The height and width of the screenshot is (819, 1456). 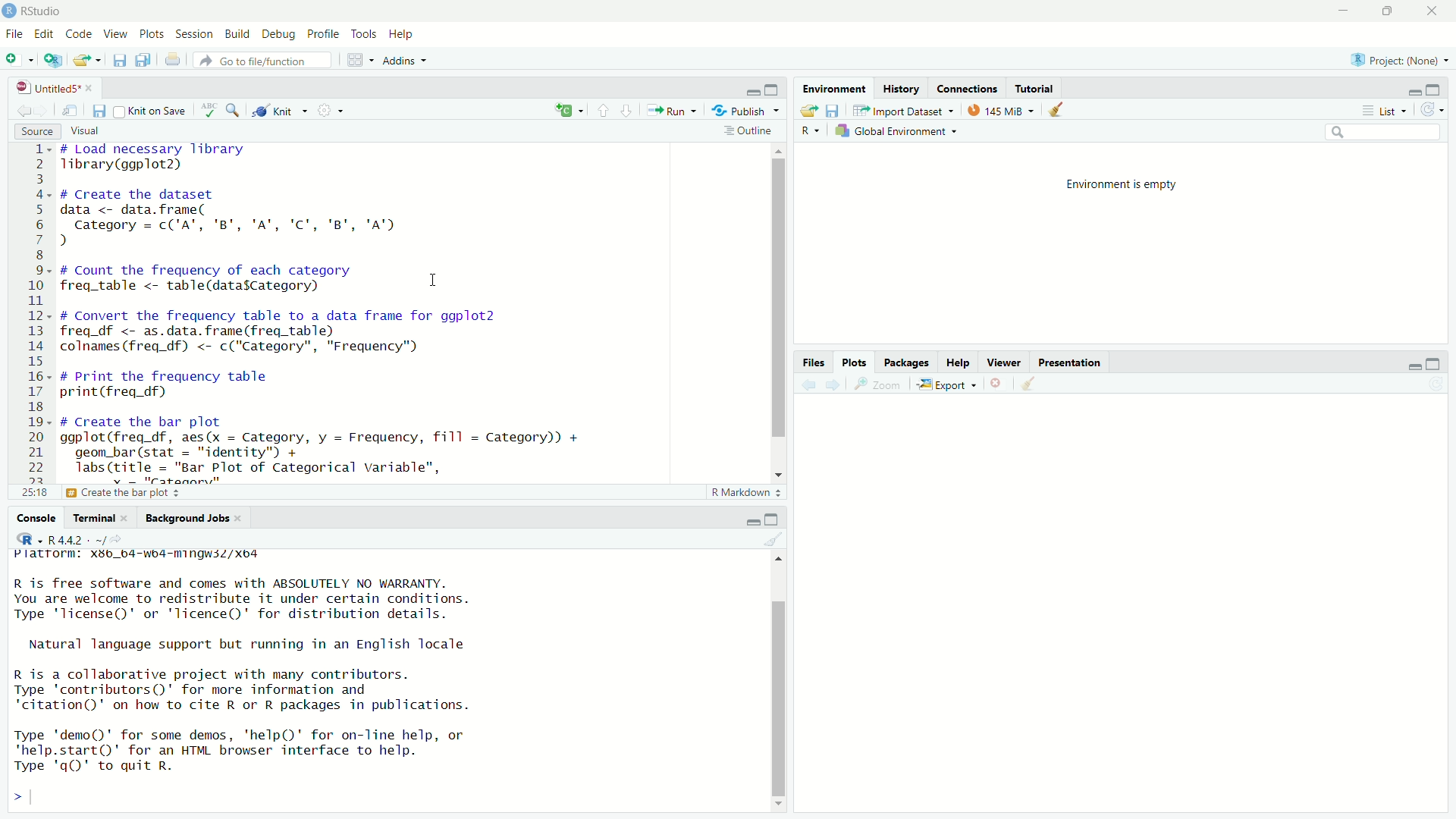 I want to click on save, so click(x=101, y=111).